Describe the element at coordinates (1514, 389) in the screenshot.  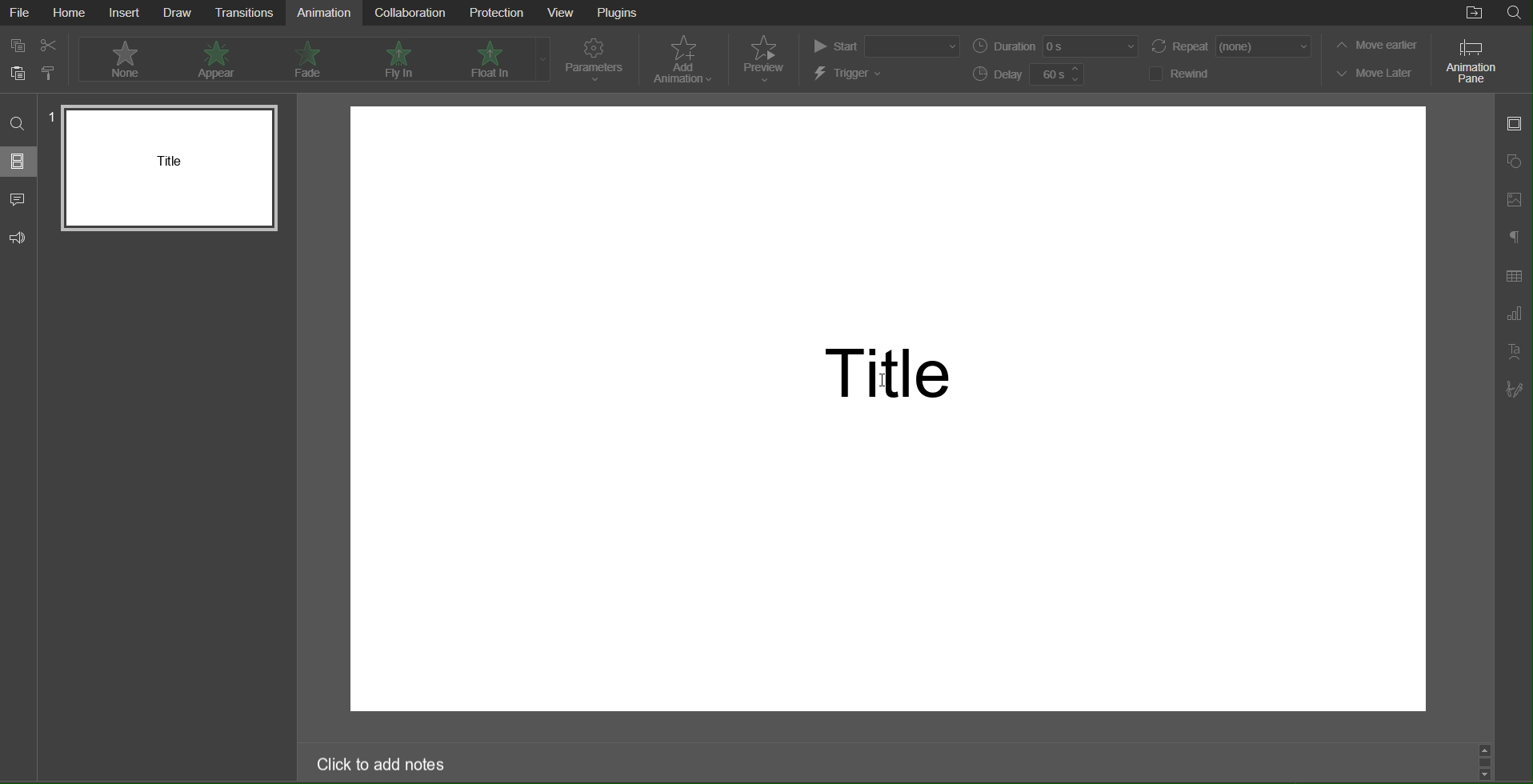
I see `Signature` at that location.